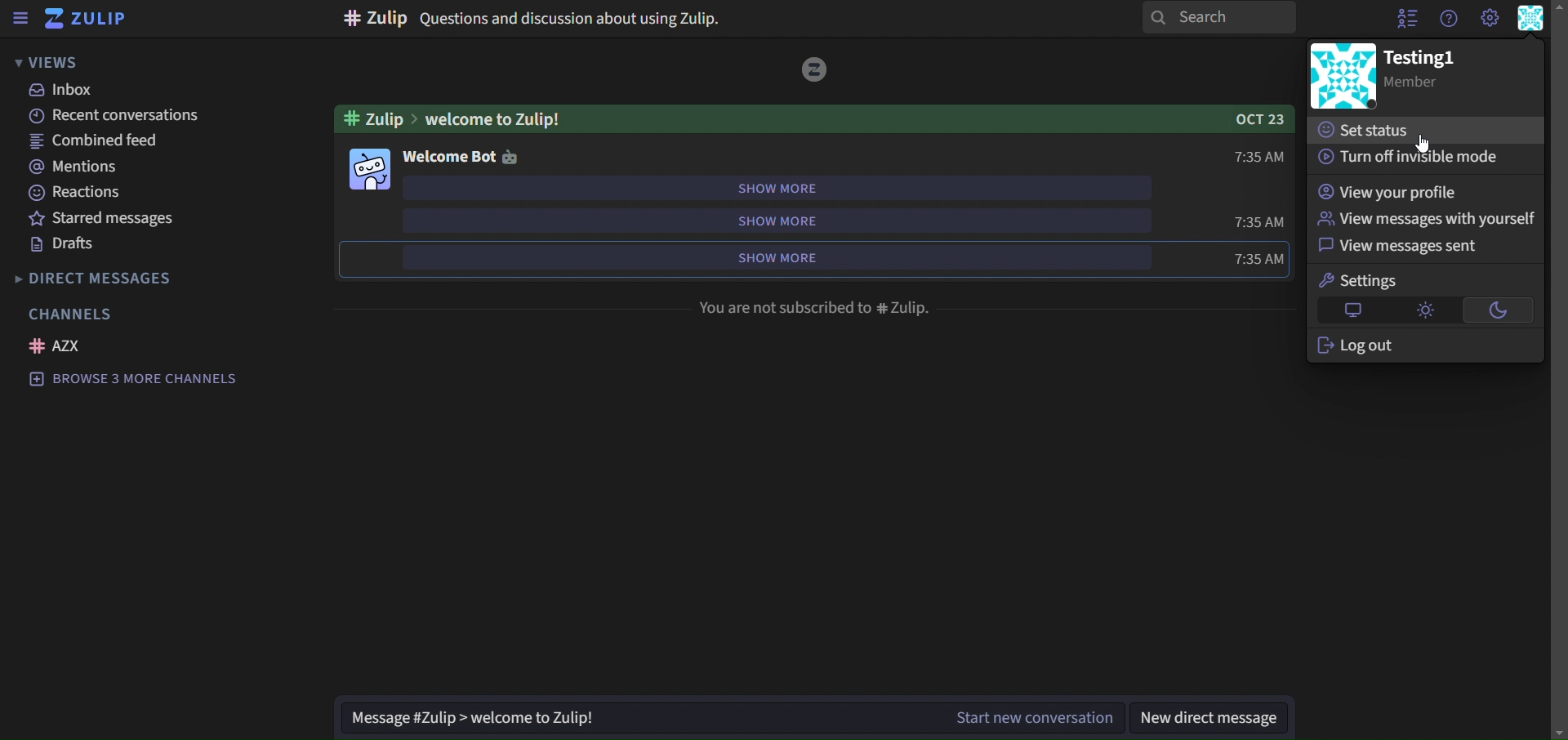 This screenshot has height=740, width=1568. I want to click on recent conversations, so click(117, 118).